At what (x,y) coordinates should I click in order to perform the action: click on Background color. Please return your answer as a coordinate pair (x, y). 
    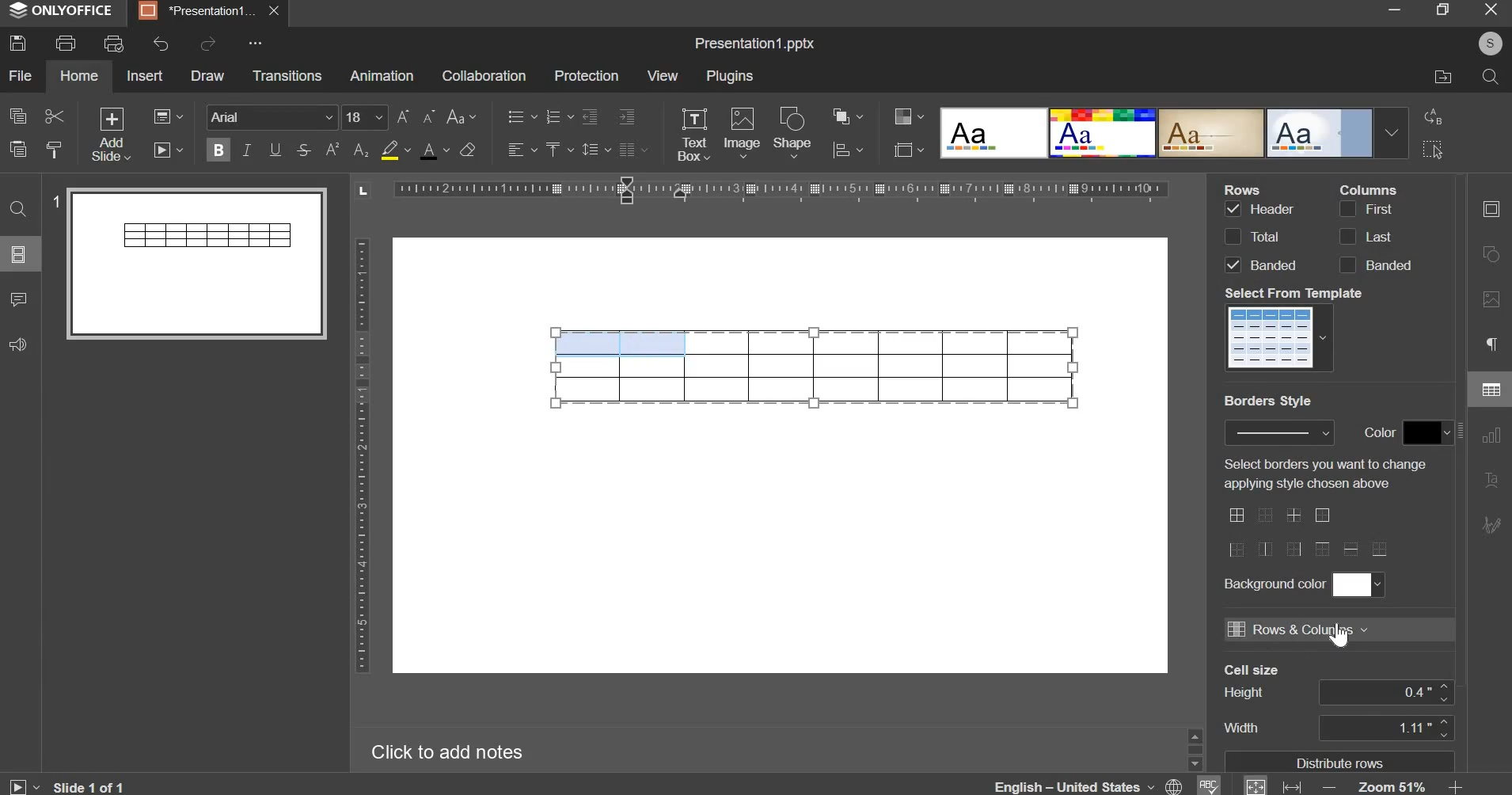
    Looking at the image, I should click on (1273, 584).